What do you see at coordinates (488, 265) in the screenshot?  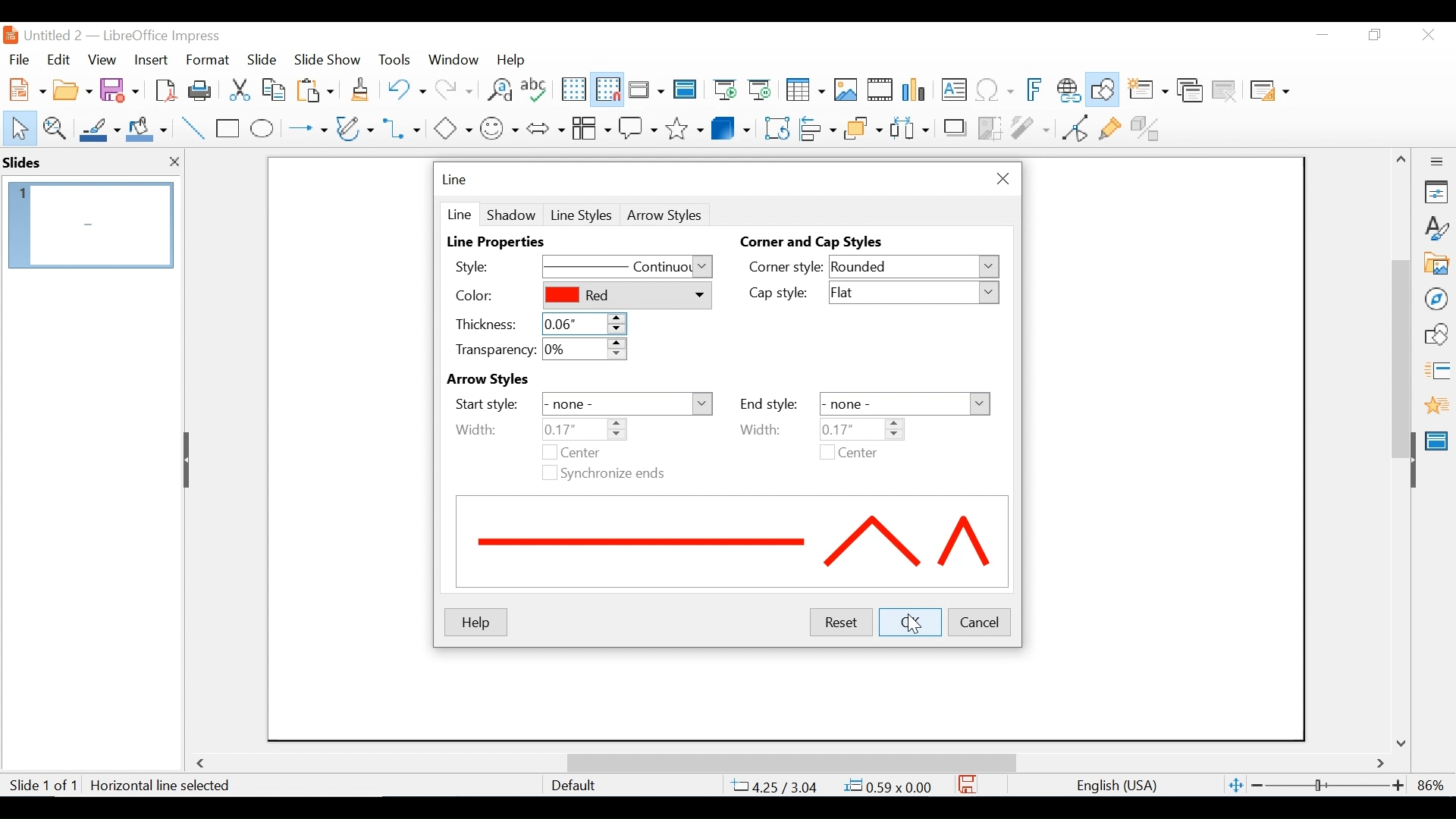 I see `Style` at bounding box center [488, 265].